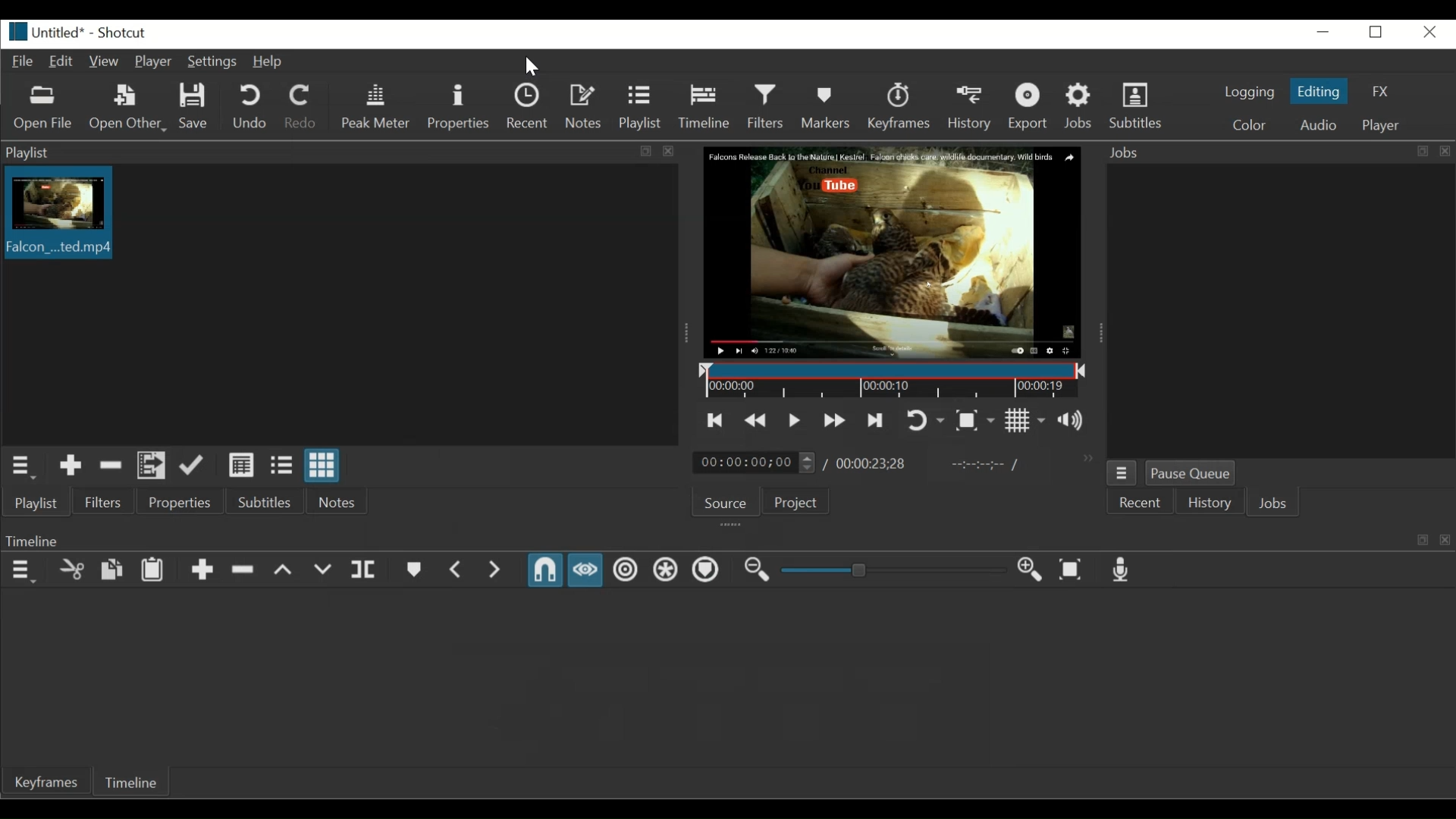  I want to click on Player, so click(155, 63).